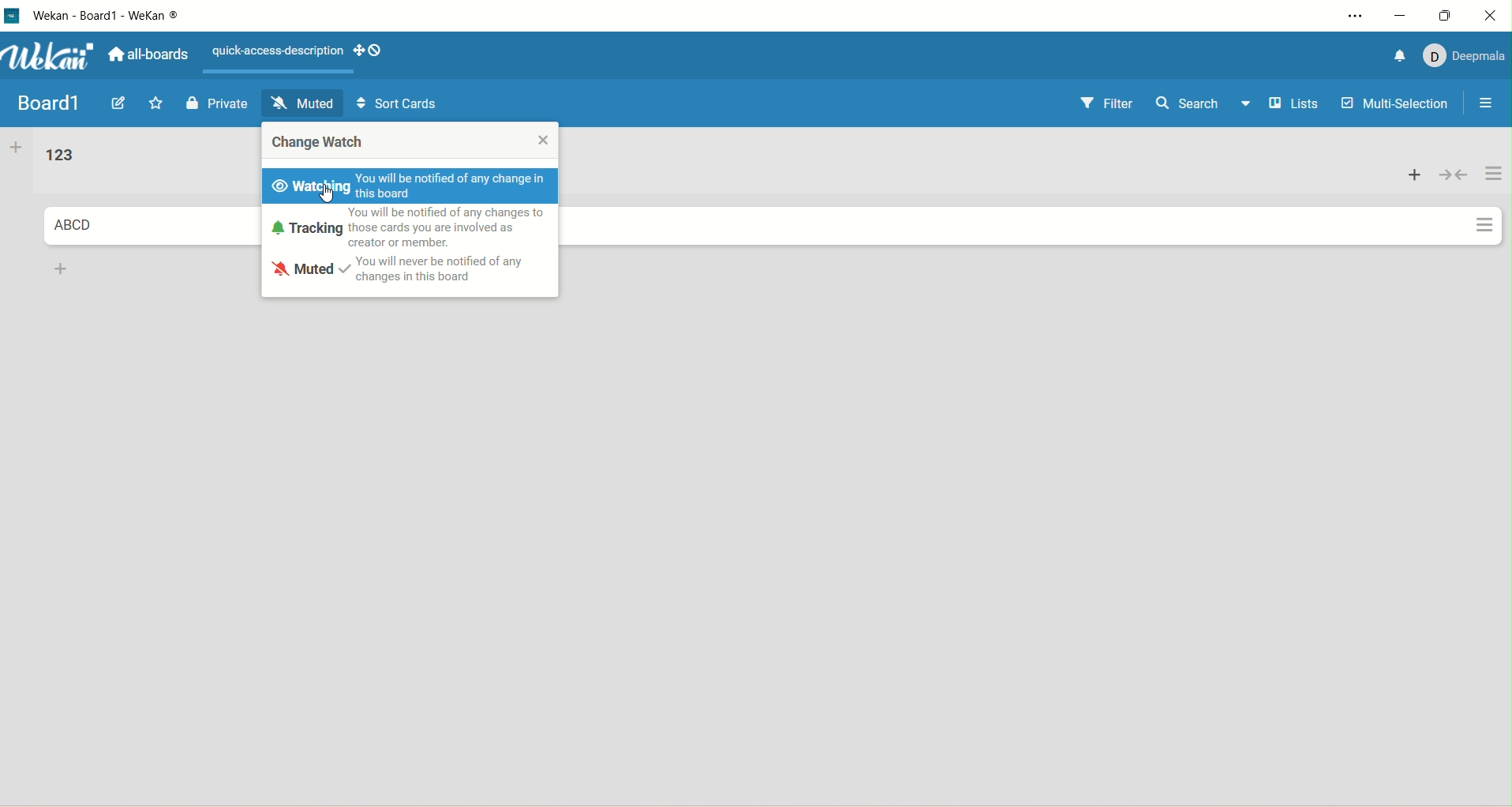 The image size is (1512, 807). I want to click on options, so click(1482, 105).